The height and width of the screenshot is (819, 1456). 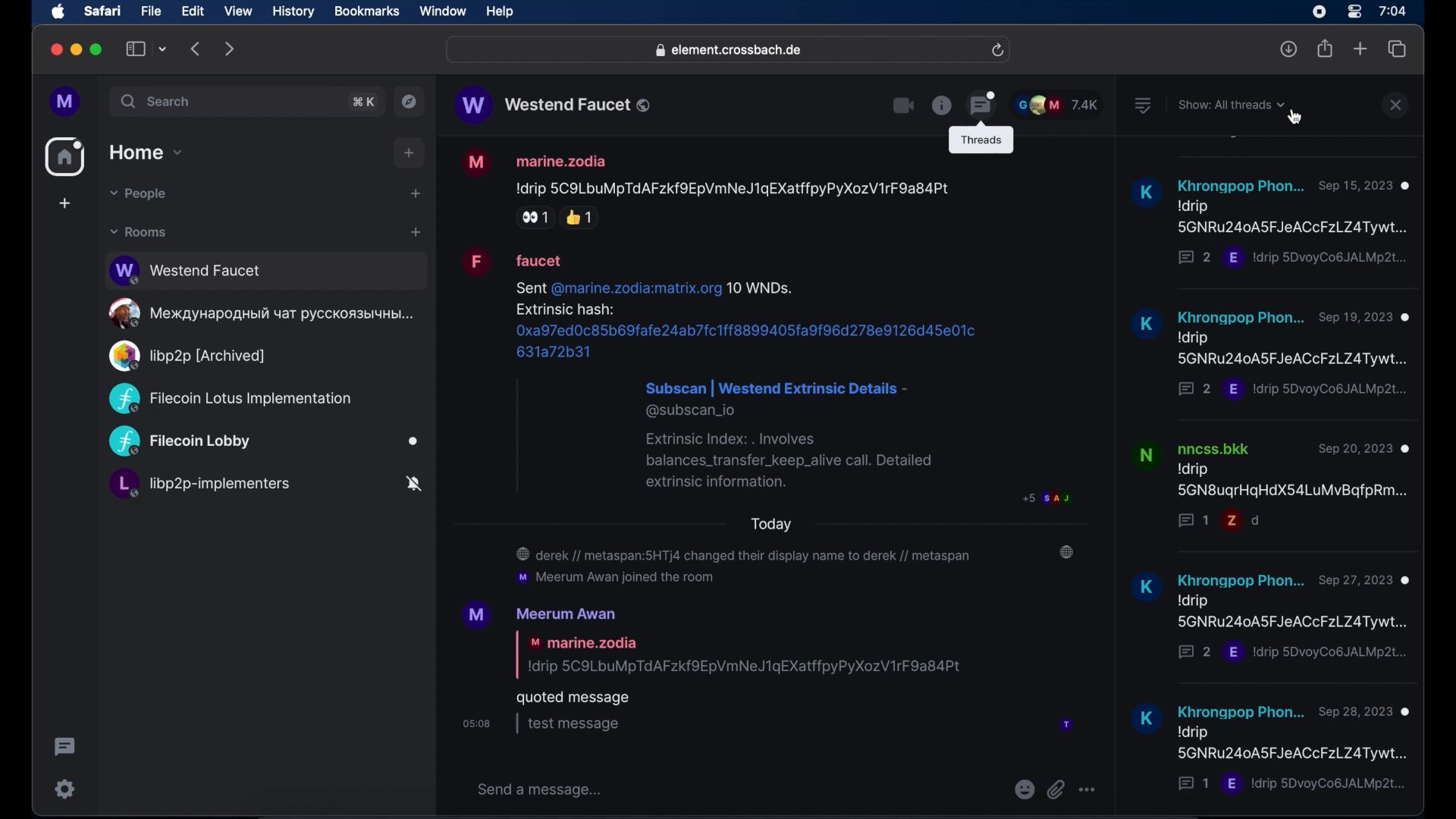 I want to click on drip
5GN8ugrHgHdX54LuMvBgfpRm..., so click(x=1291, y=481).